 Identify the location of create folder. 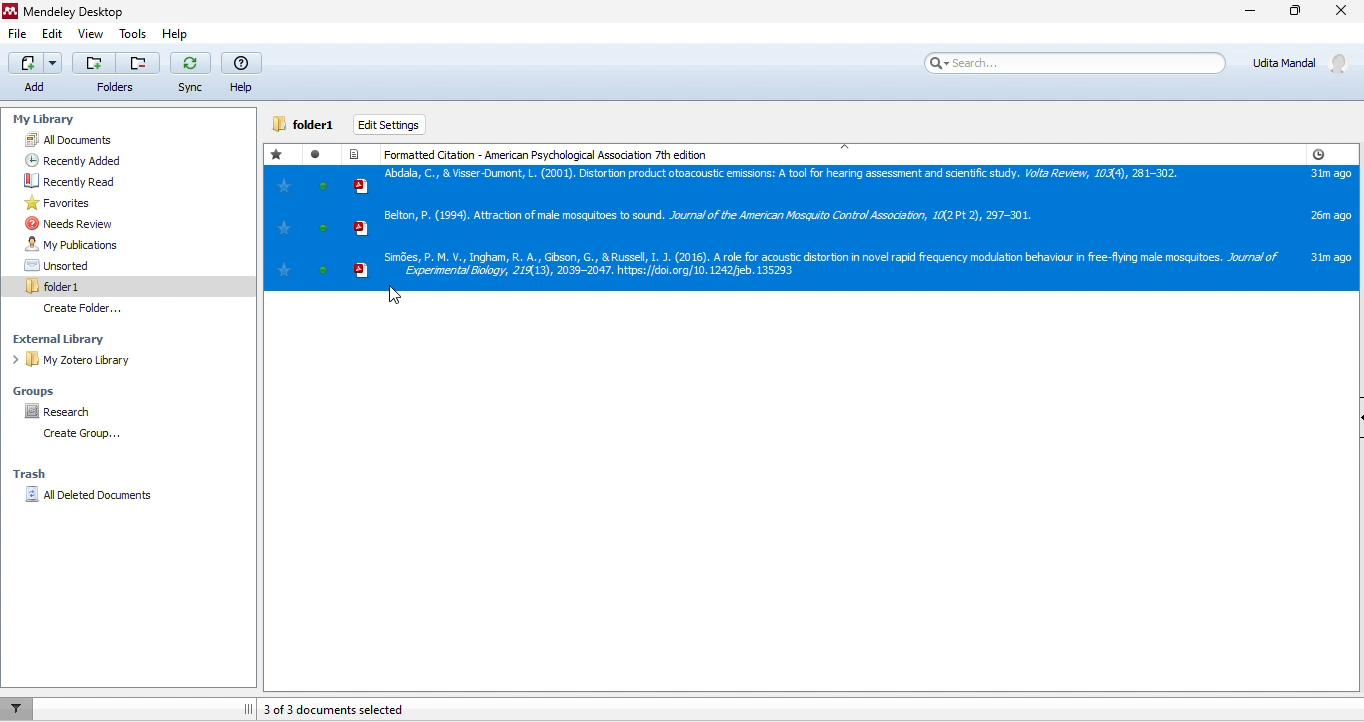
(98, 308).